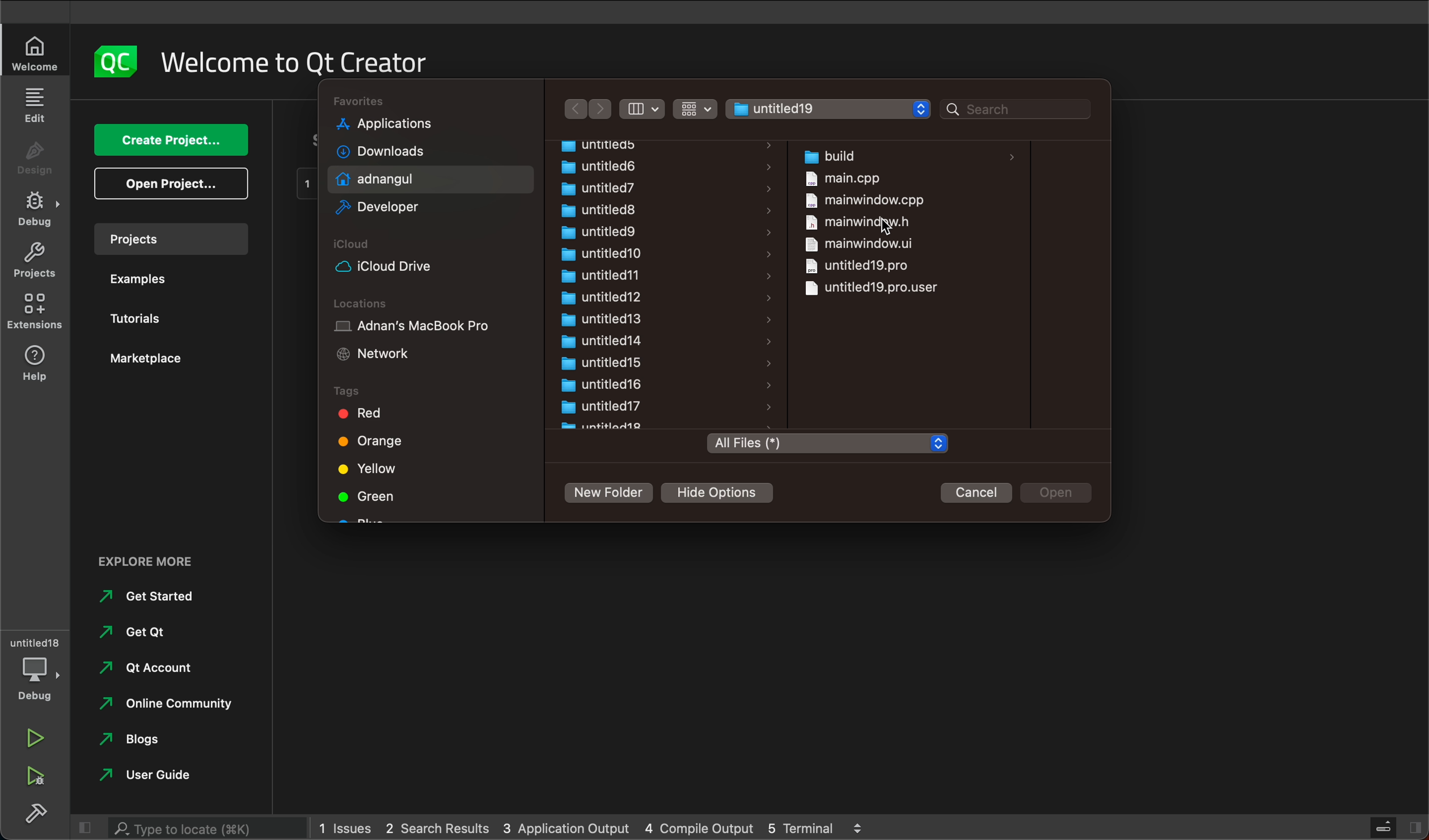  Describe the element at coordinates (383, 468) in the screenshot. I see `yellow` at that location.